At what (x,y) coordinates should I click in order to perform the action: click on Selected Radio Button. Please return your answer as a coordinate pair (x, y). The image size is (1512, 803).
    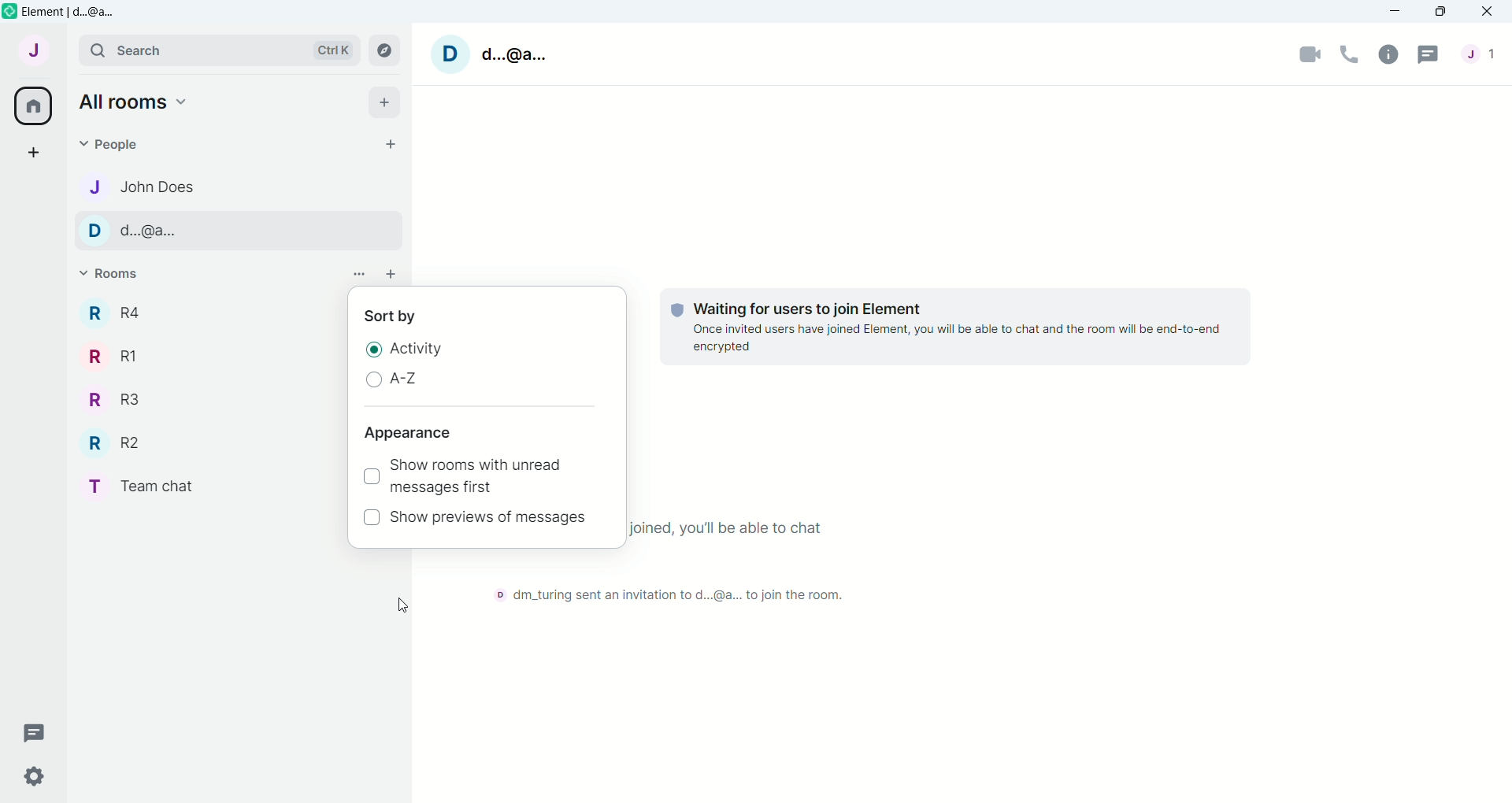
    Looking at the image, I should click on (375, 348).